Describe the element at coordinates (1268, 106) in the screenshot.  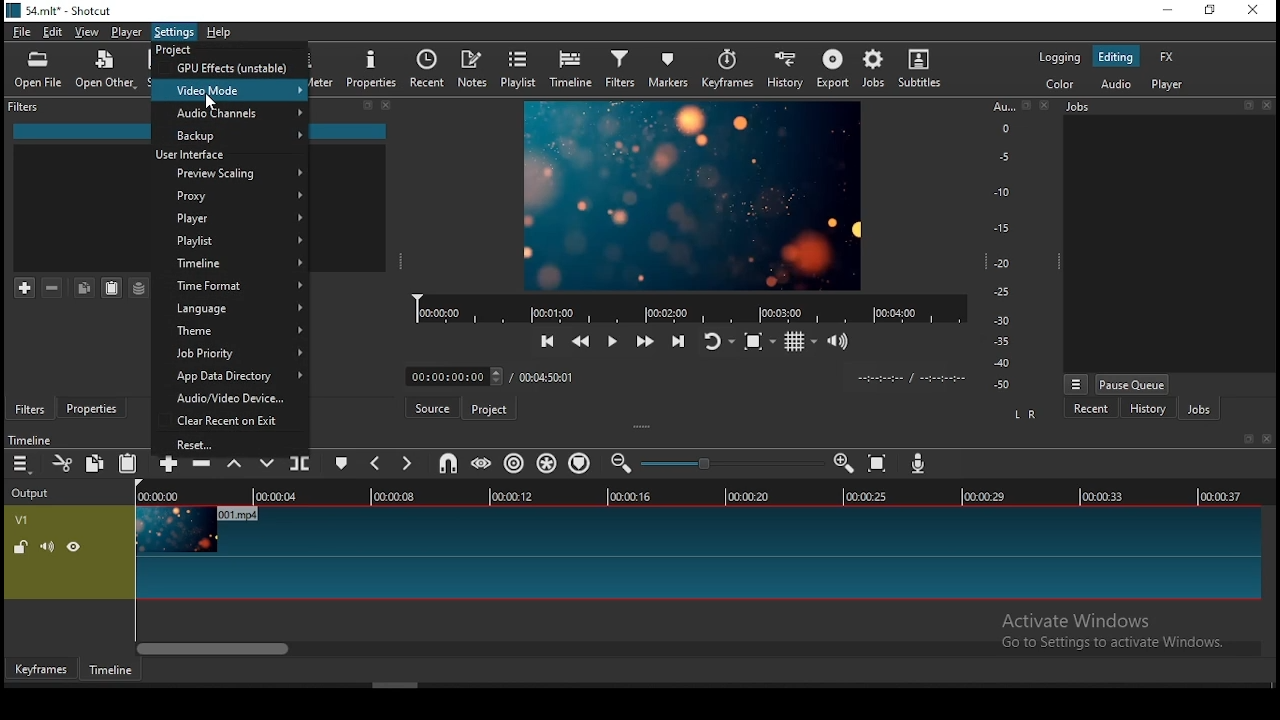
I see `close` at that location.